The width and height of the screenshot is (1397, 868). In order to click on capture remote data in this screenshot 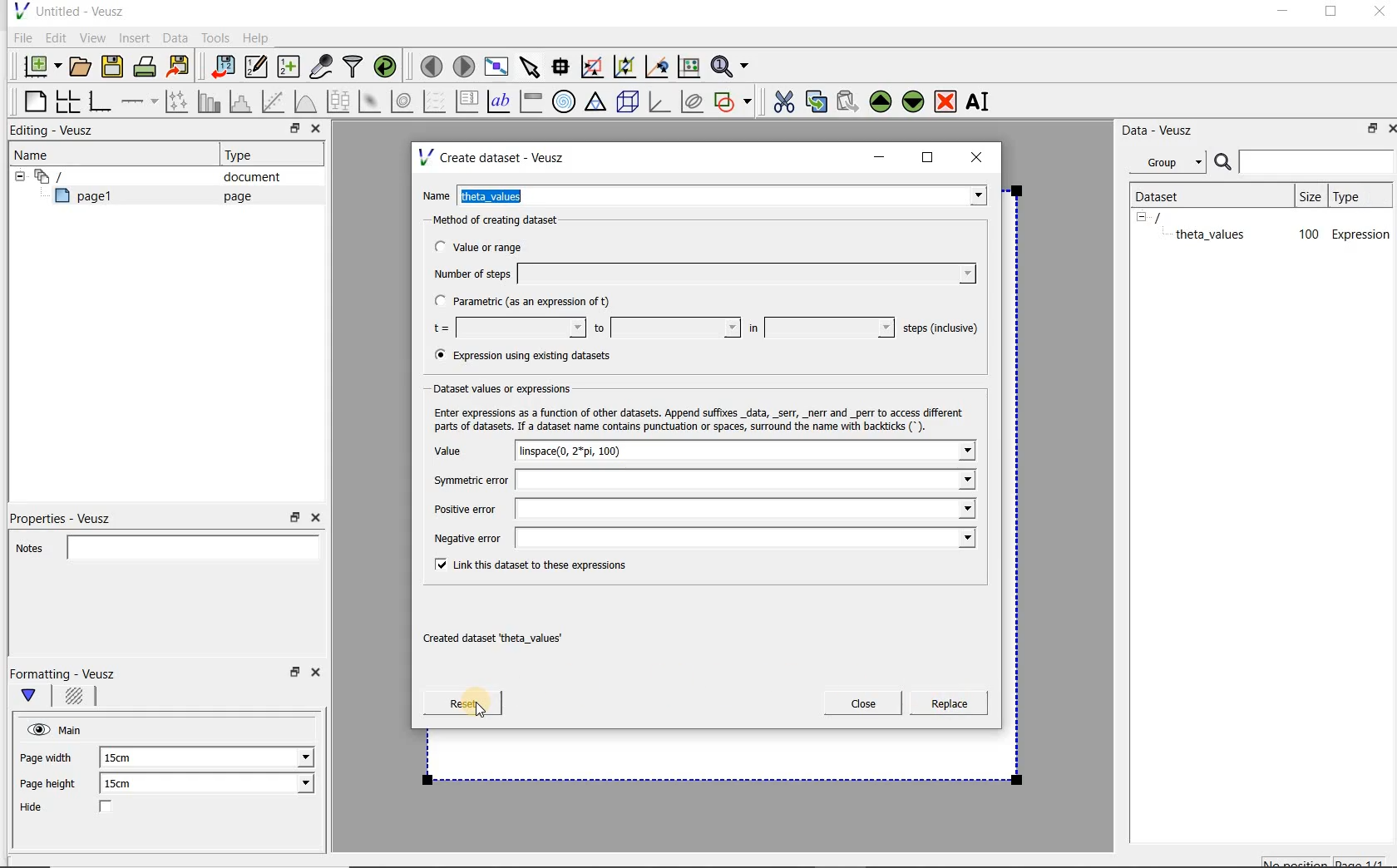, I will do `click(322, 69)`.